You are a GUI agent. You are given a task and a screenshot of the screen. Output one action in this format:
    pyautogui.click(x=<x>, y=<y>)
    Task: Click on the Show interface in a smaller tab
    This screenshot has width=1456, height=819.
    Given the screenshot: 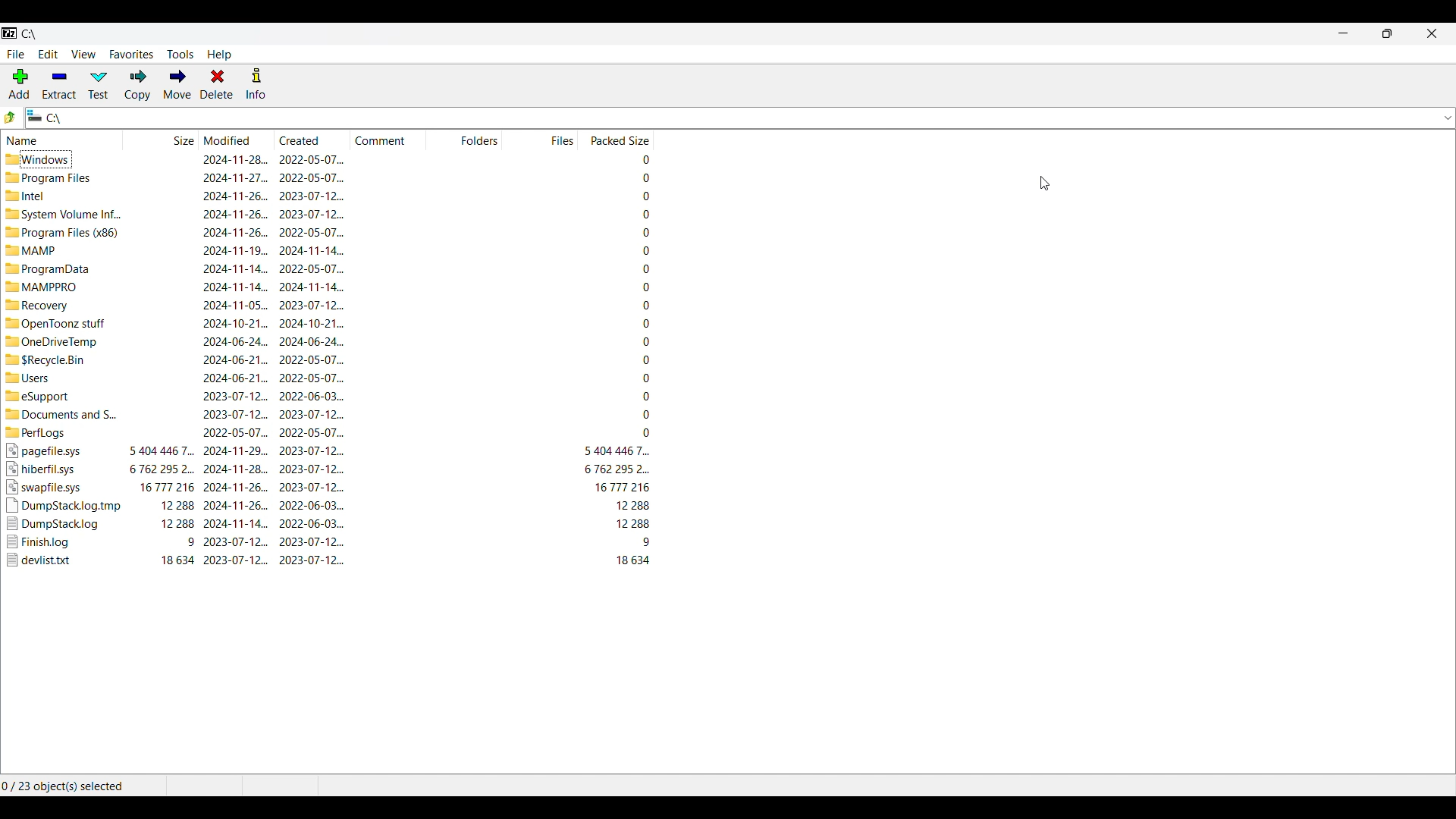 What is the action you would take?
    pyautogui.click(x=1388, y=33)
    